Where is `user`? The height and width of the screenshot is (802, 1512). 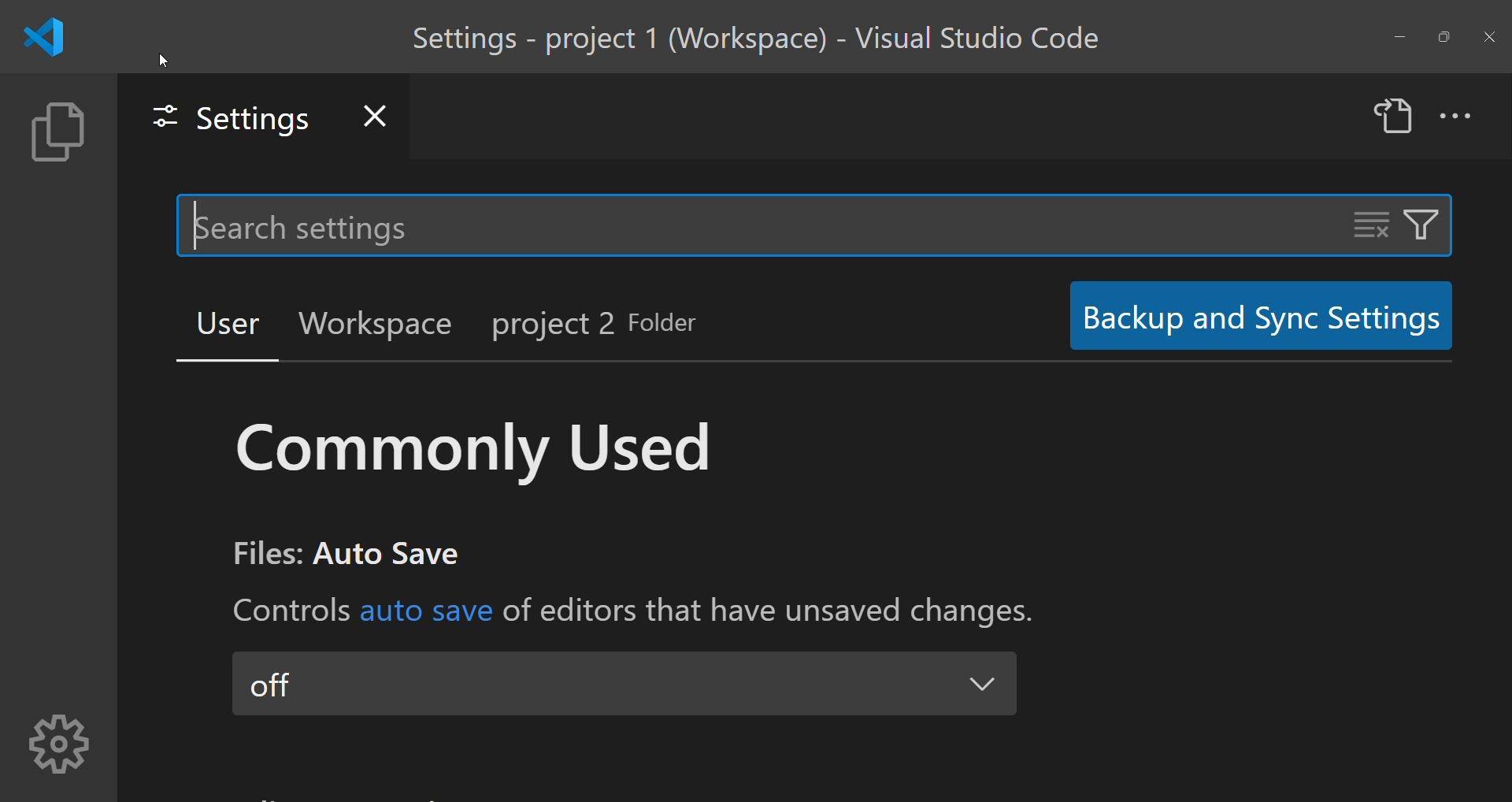 user is located at coordinates (221, 322).